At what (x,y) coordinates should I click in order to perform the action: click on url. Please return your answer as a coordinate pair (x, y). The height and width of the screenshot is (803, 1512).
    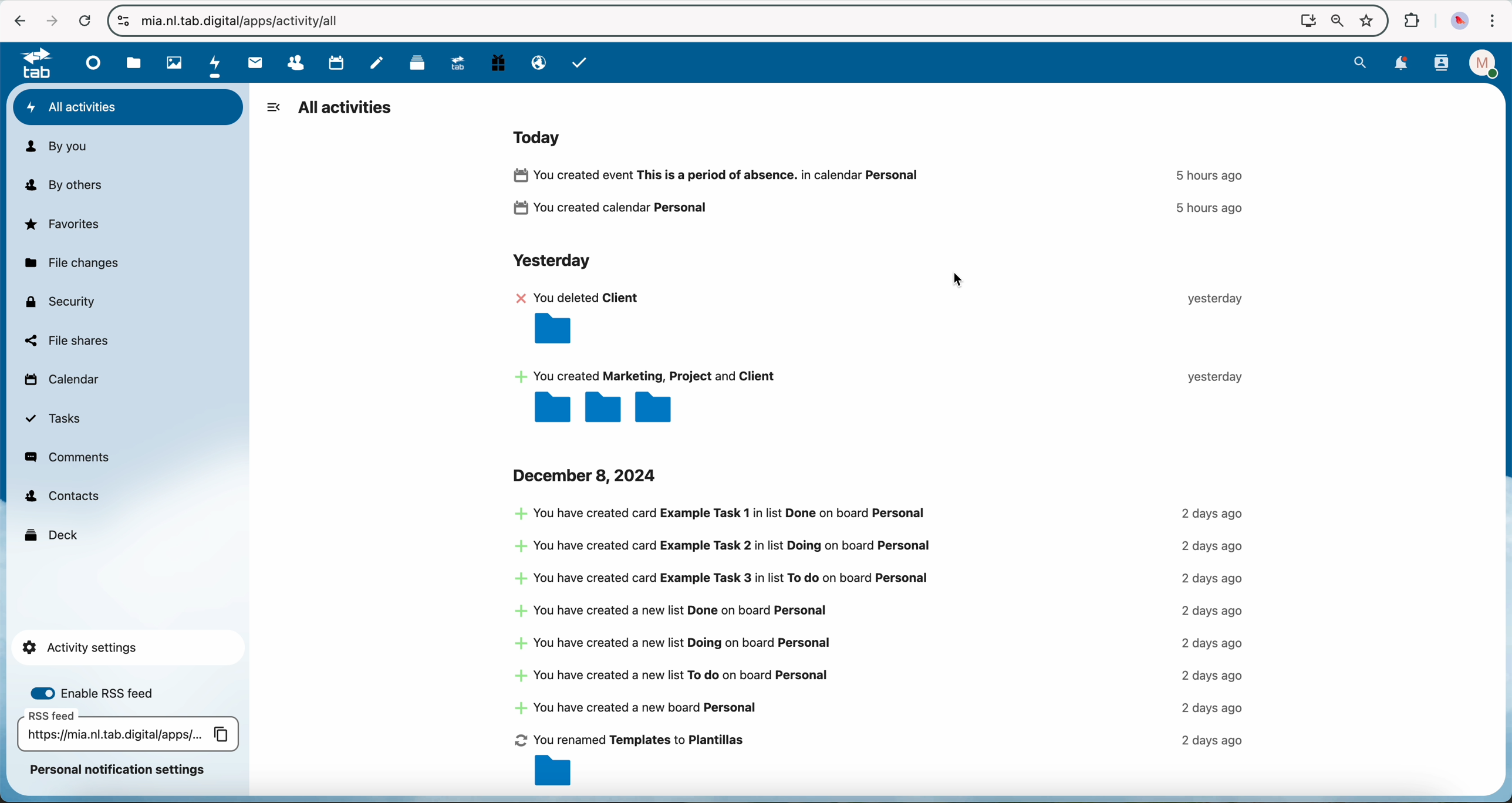
    Looking at the image, I should click on (248, 22).